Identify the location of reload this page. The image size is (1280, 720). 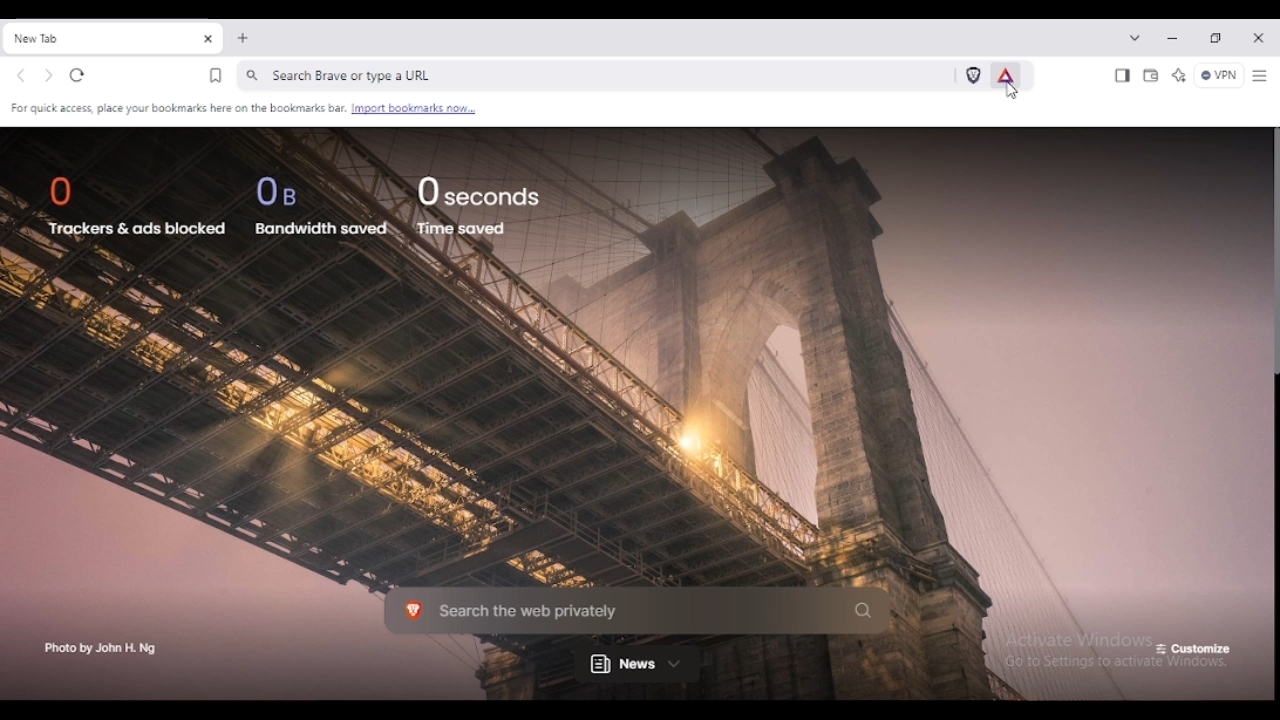
(77, 76).